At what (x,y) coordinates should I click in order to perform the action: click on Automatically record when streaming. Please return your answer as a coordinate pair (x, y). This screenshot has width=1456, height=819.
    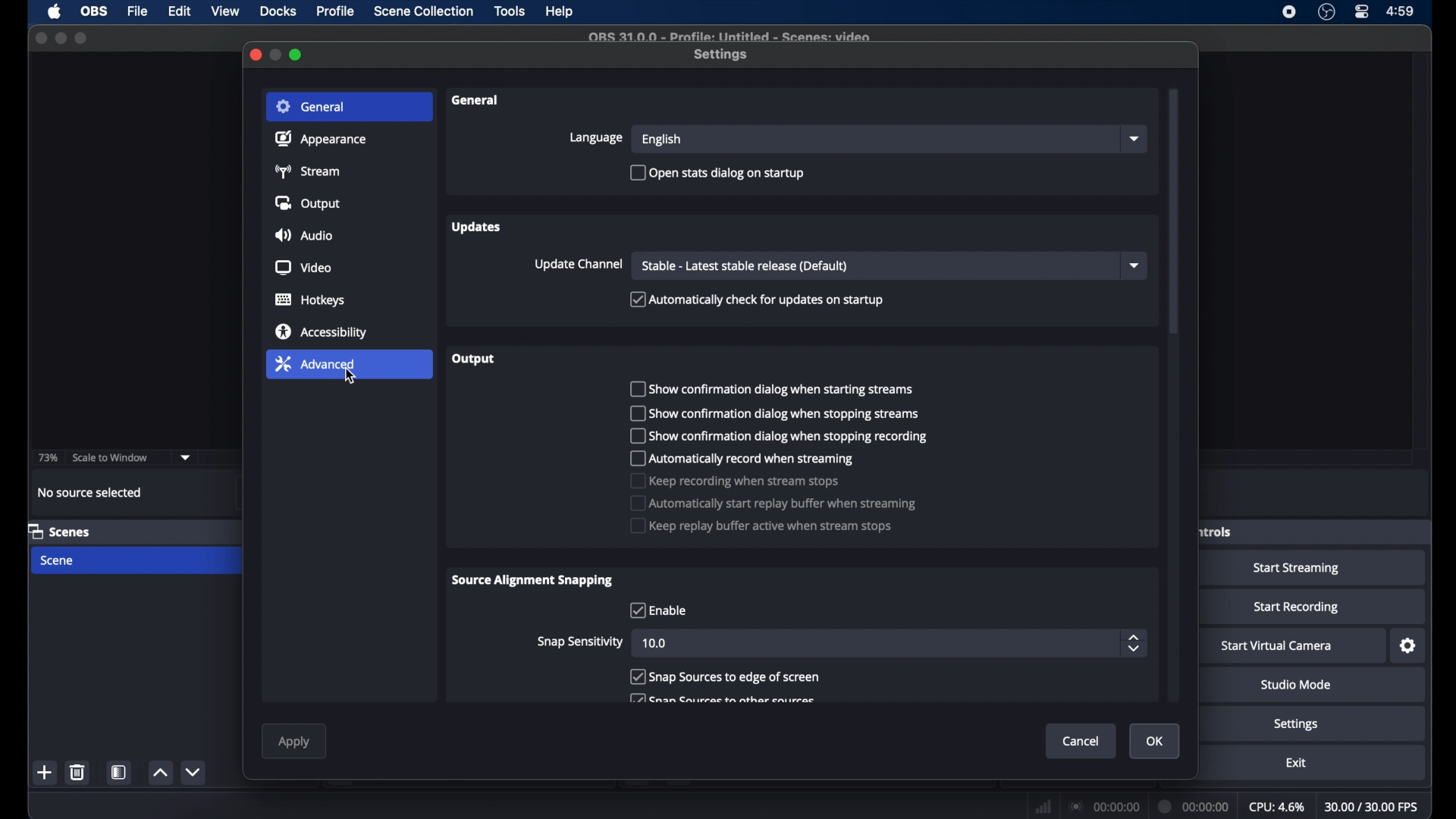
    Looking at the image, I should click on (743, 460).